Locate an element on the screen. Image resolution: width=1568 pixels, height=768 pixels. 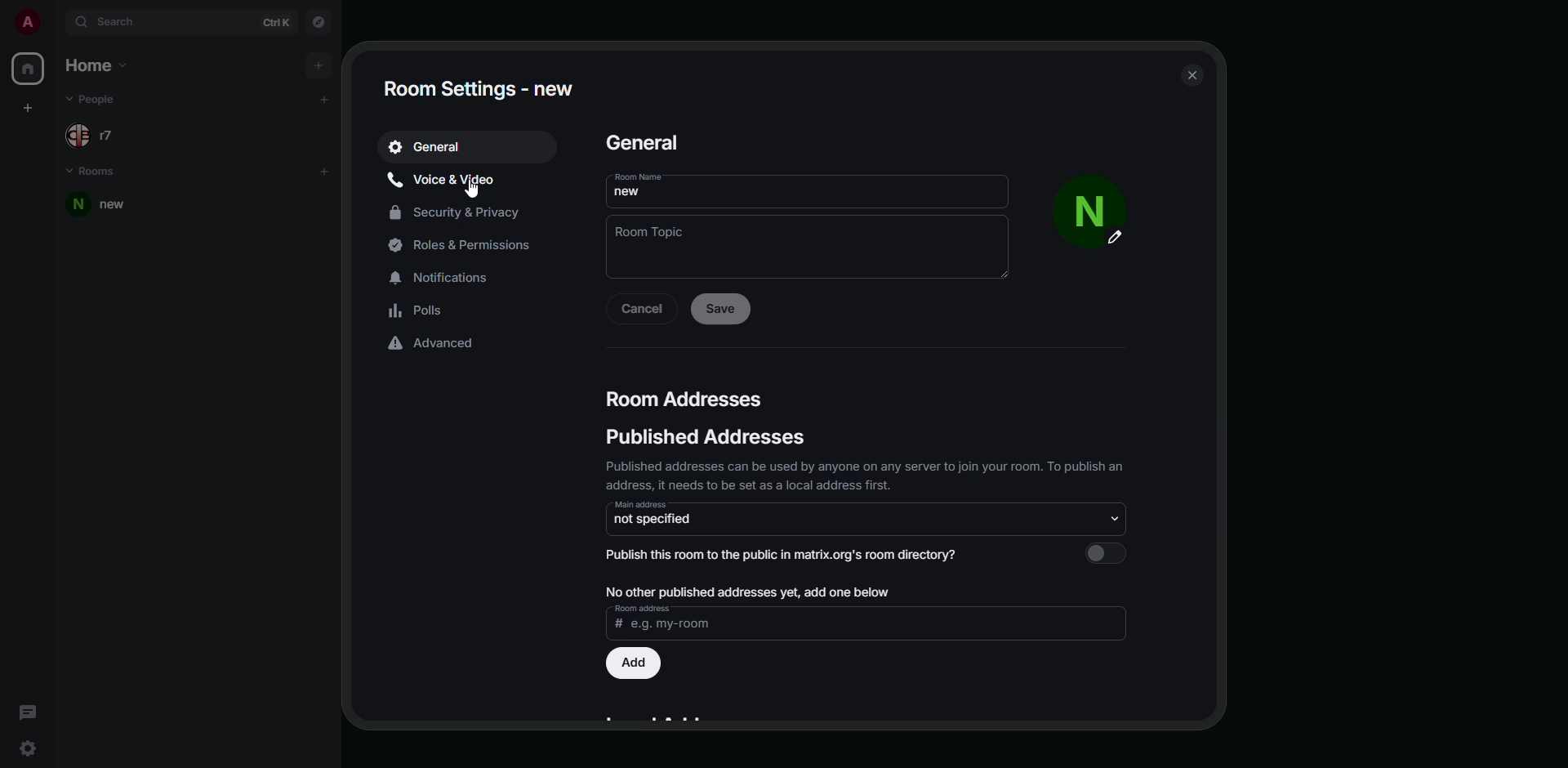
home is located at coordinates (28, 69).